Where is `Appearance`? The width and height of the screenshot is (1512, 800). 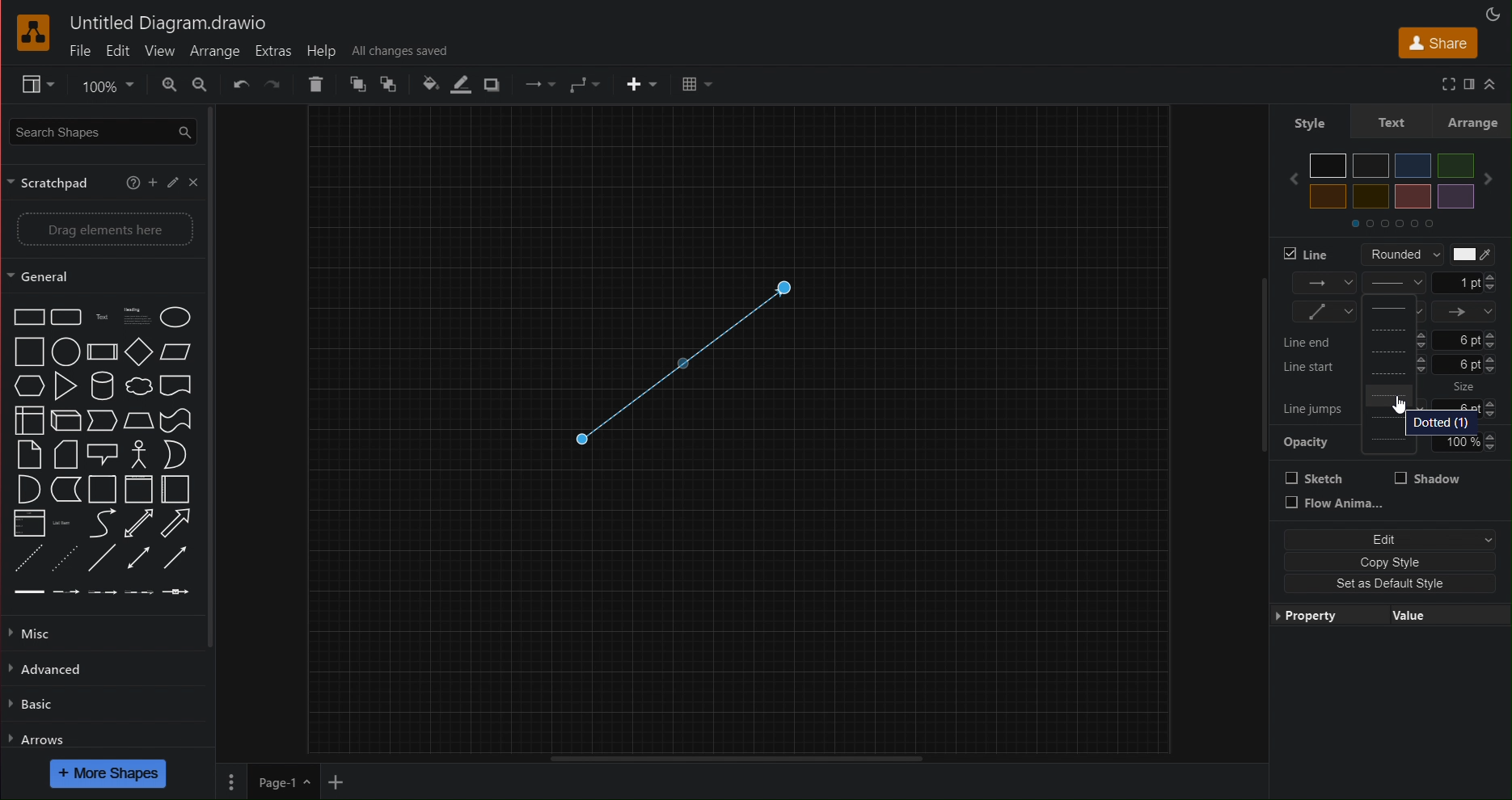 Appearance is located at coordinates (1495, 13).